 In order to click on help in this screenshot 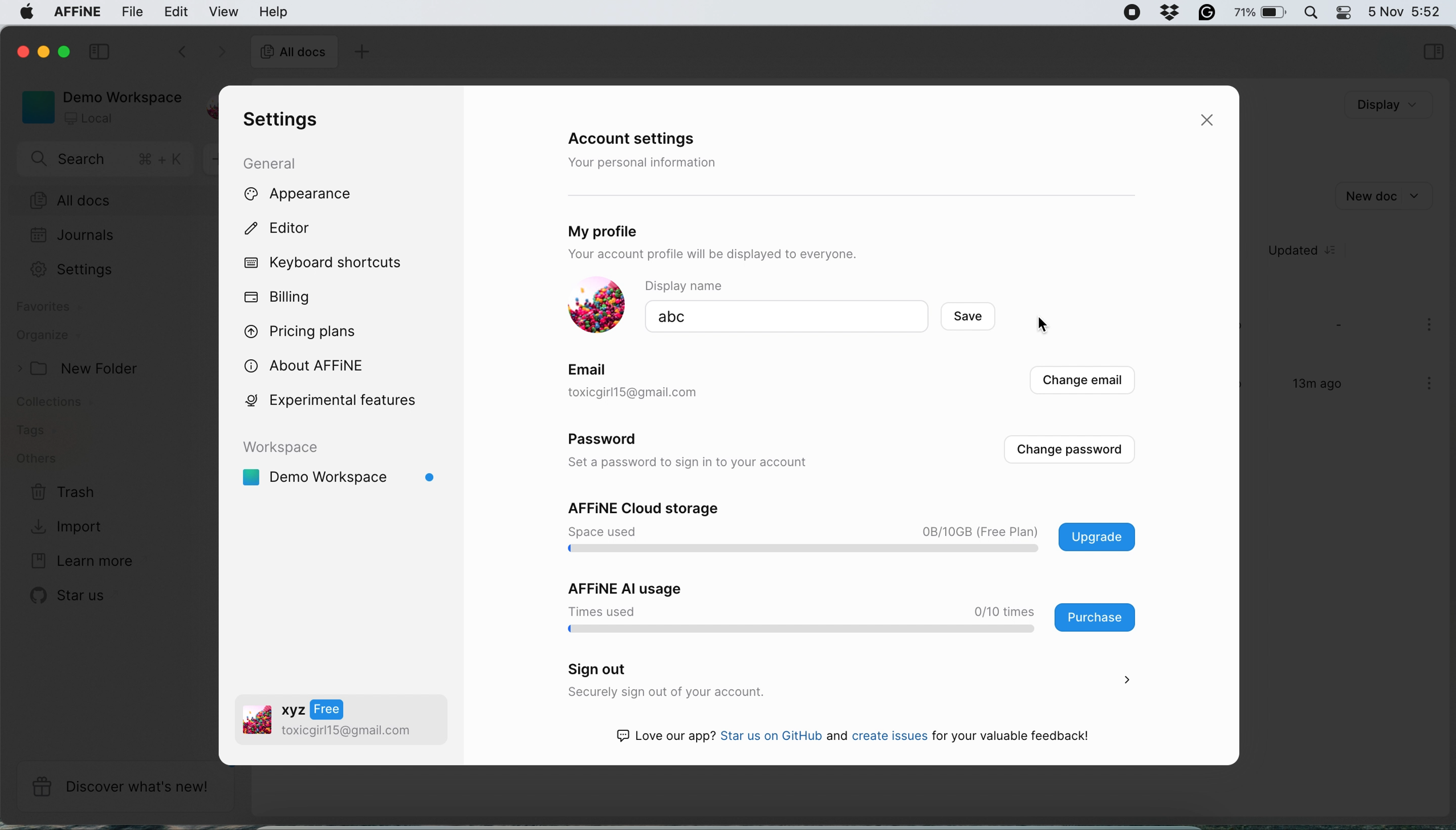, I will do `click(273, 11)`.